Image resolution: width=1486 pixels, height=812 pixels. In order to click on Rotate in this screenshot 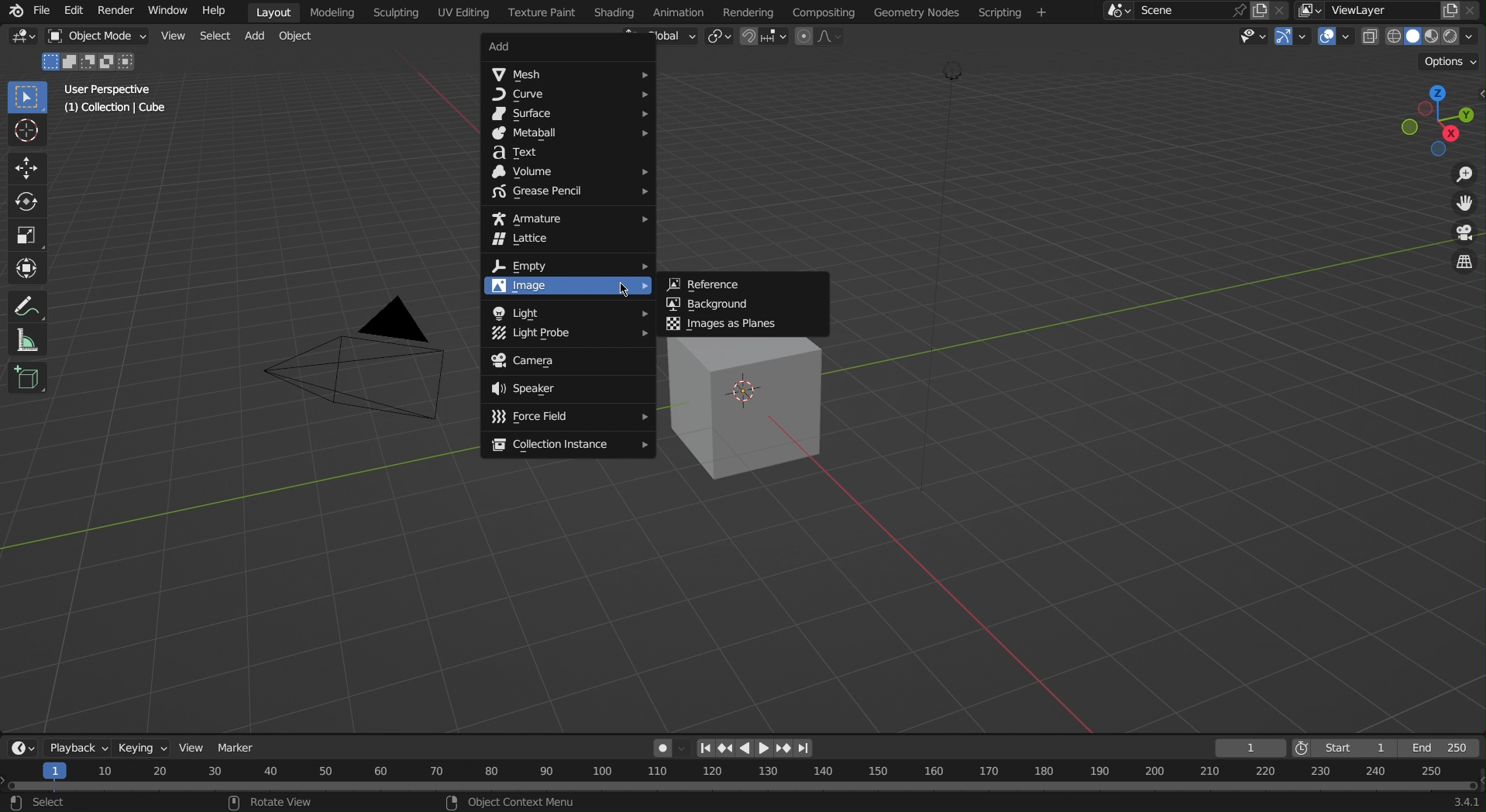, I will do `click(24, 199)`.